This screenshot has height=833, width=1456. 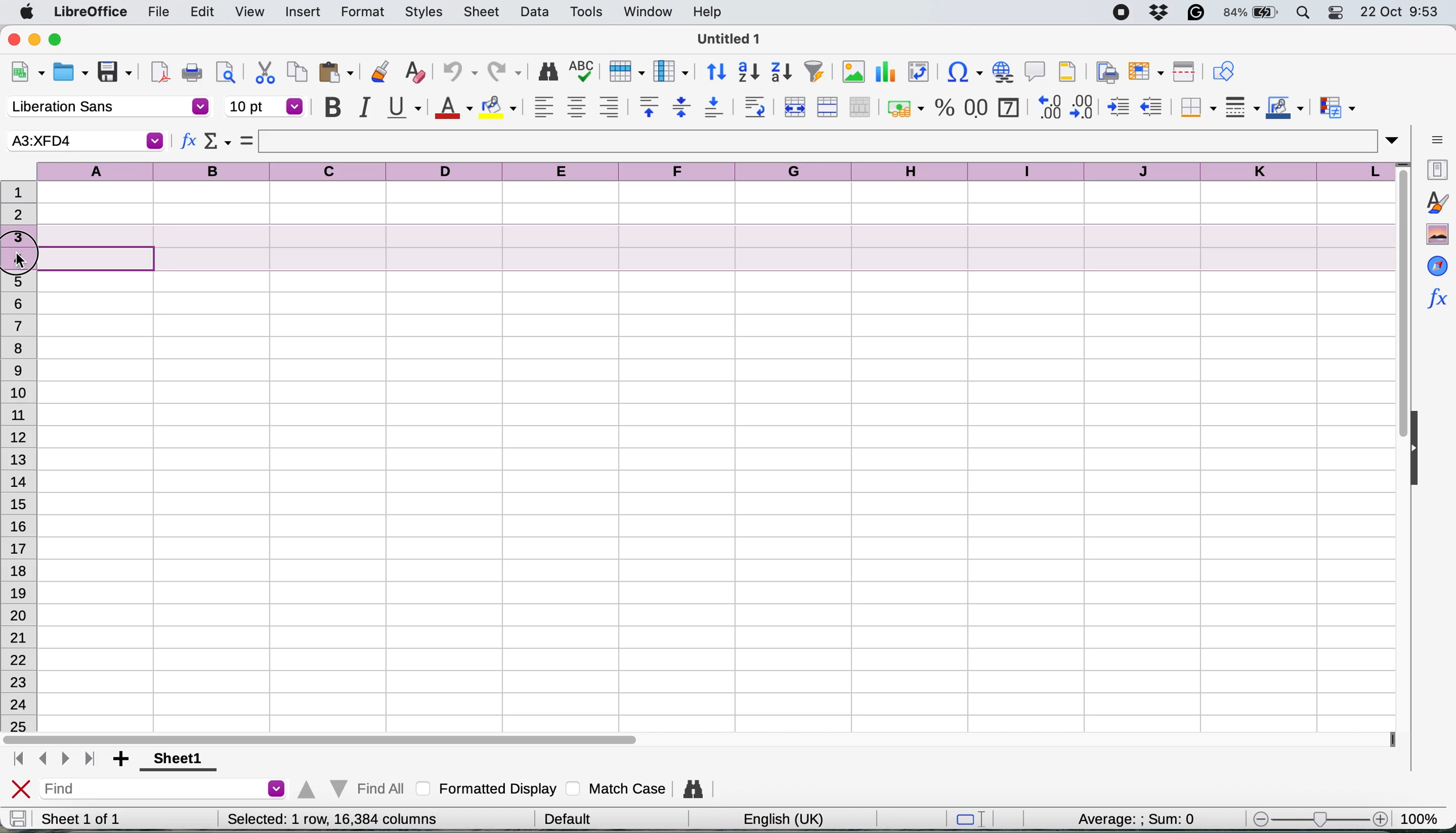 I want to click on file, so click(x=158, y=13).